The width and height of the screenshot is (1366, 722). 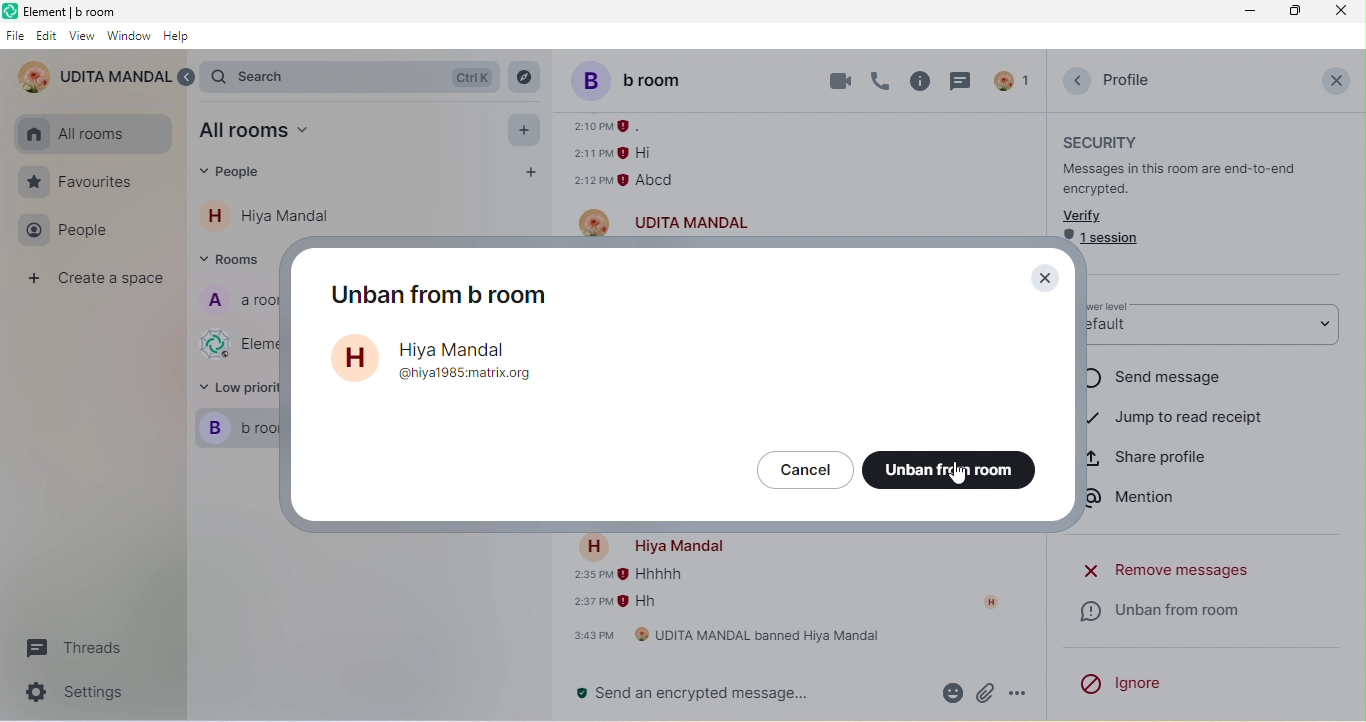 What do you see at coordinates (725, 639) in the screenshot?
I see `udita mandal banned hiya mandal` at bounding box center [725, 639].